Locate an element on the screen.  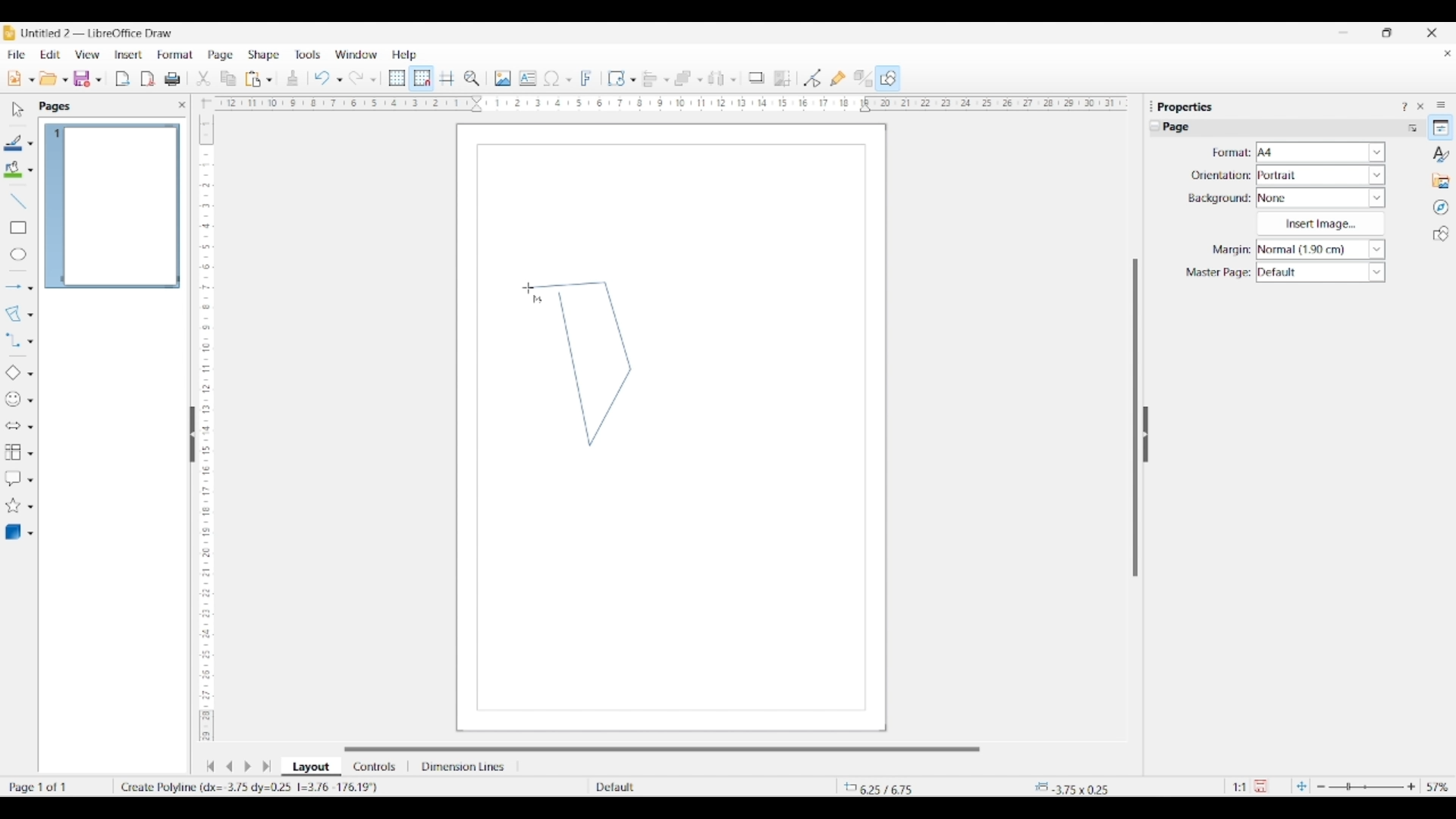
Project and software name is located at coordinates (98, 33).